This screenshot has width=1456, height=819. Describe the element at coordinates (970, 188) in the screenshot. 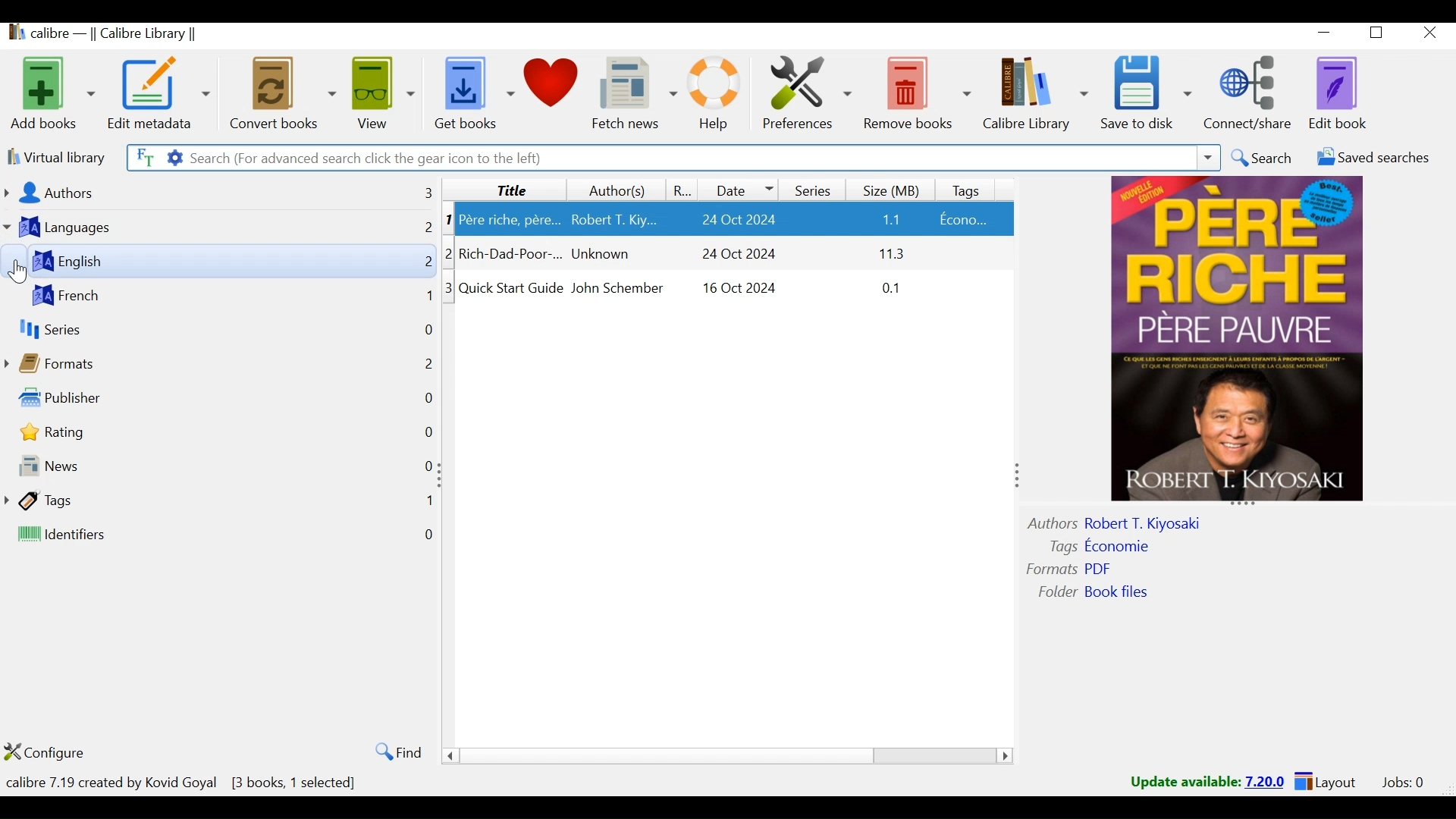

I see `Tags` at that location.